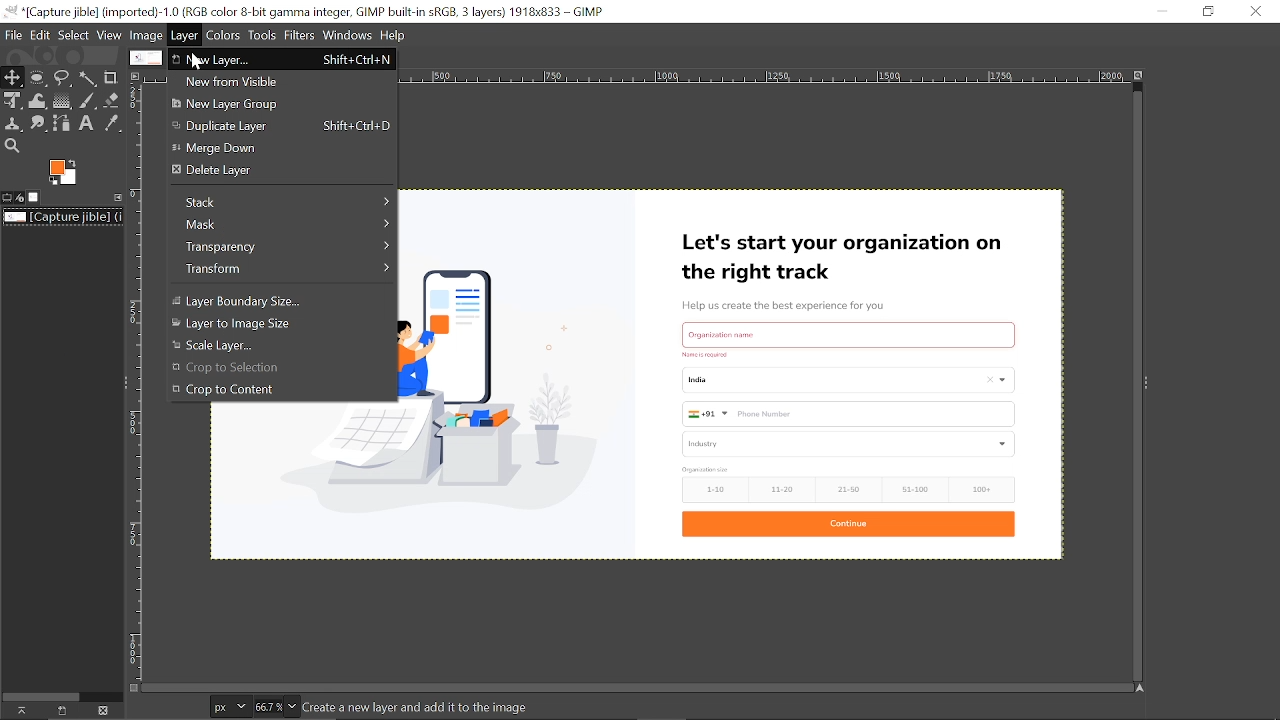 The image size is (1280, 720). What do you see at coordinates (13, 36) in the screenshot?
I see `File` at bounding box center [13, 36].